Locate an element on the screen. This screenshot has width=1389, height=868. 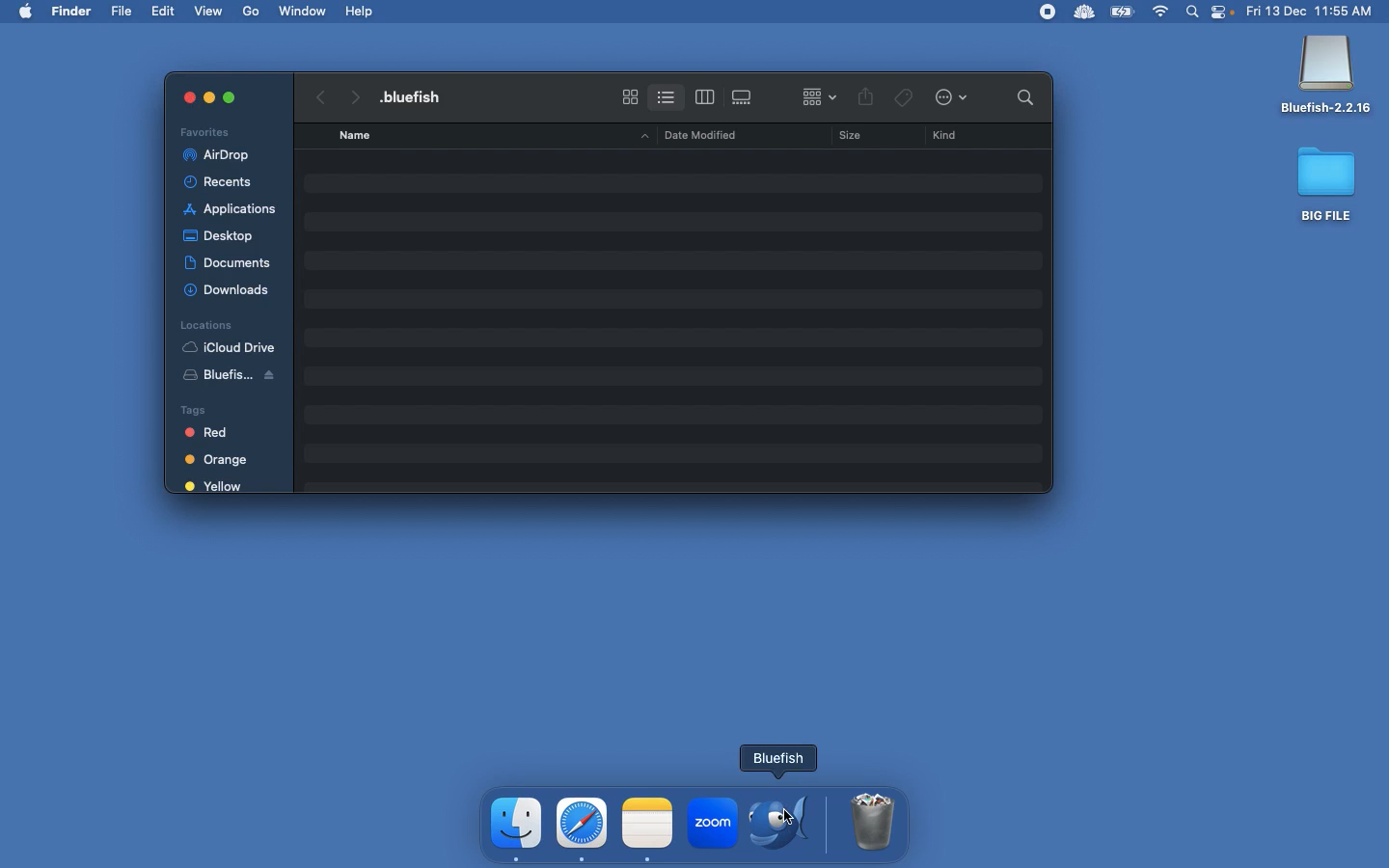
go back is located at coordinates (317, 95).